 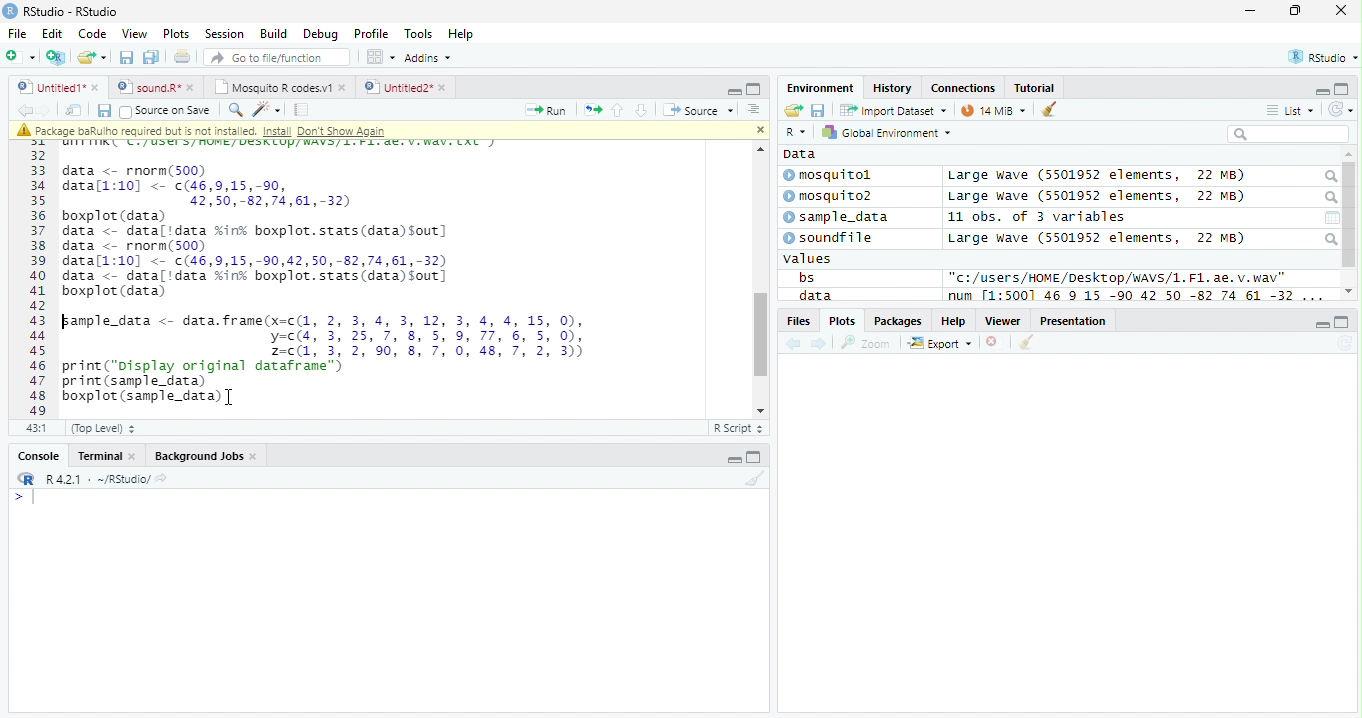 What do you see at coordinates (759, 130) in the screenshot?
I see `close` at bounding box center [759, 130].